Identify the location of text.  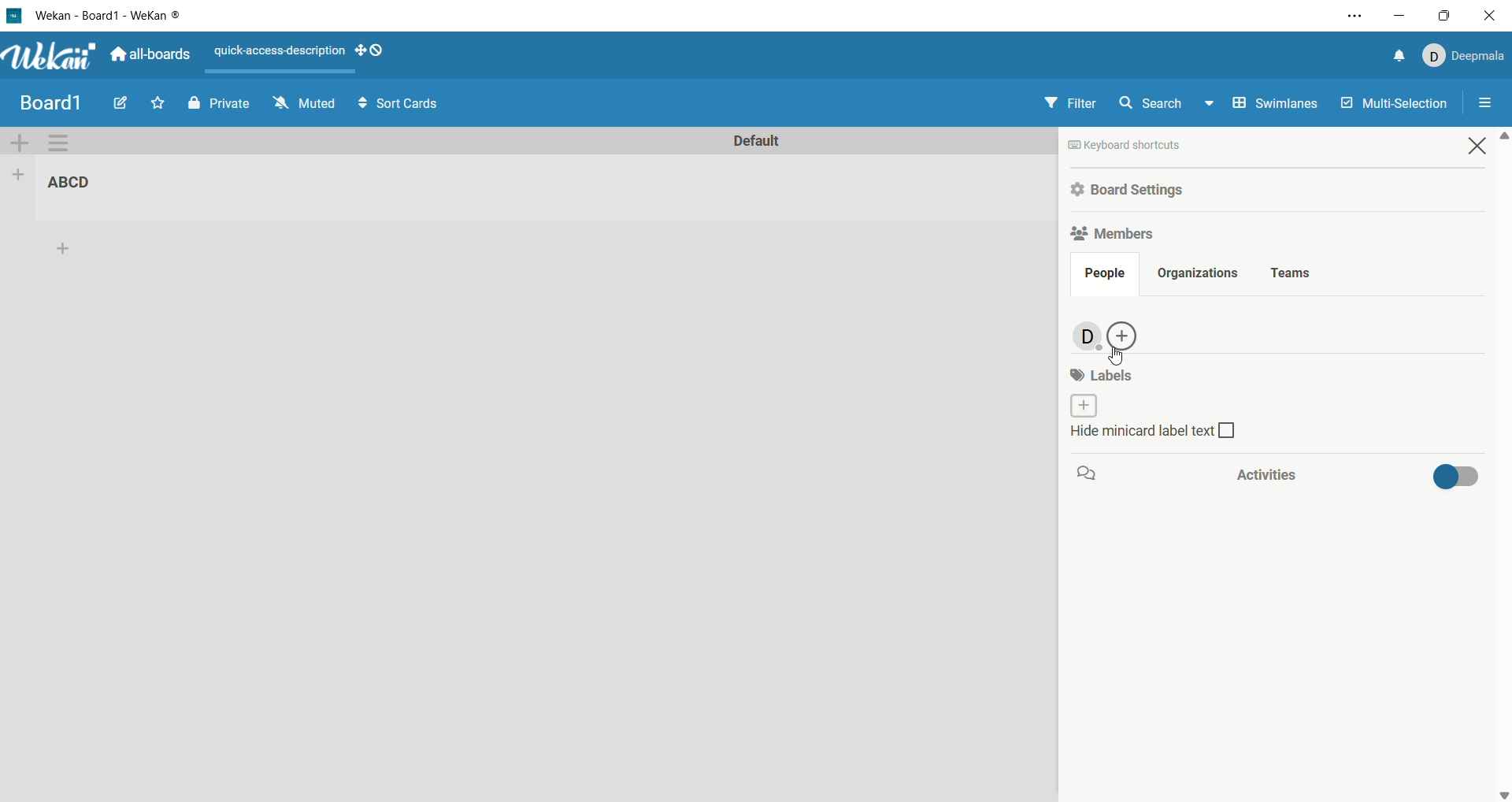
(280, 51).